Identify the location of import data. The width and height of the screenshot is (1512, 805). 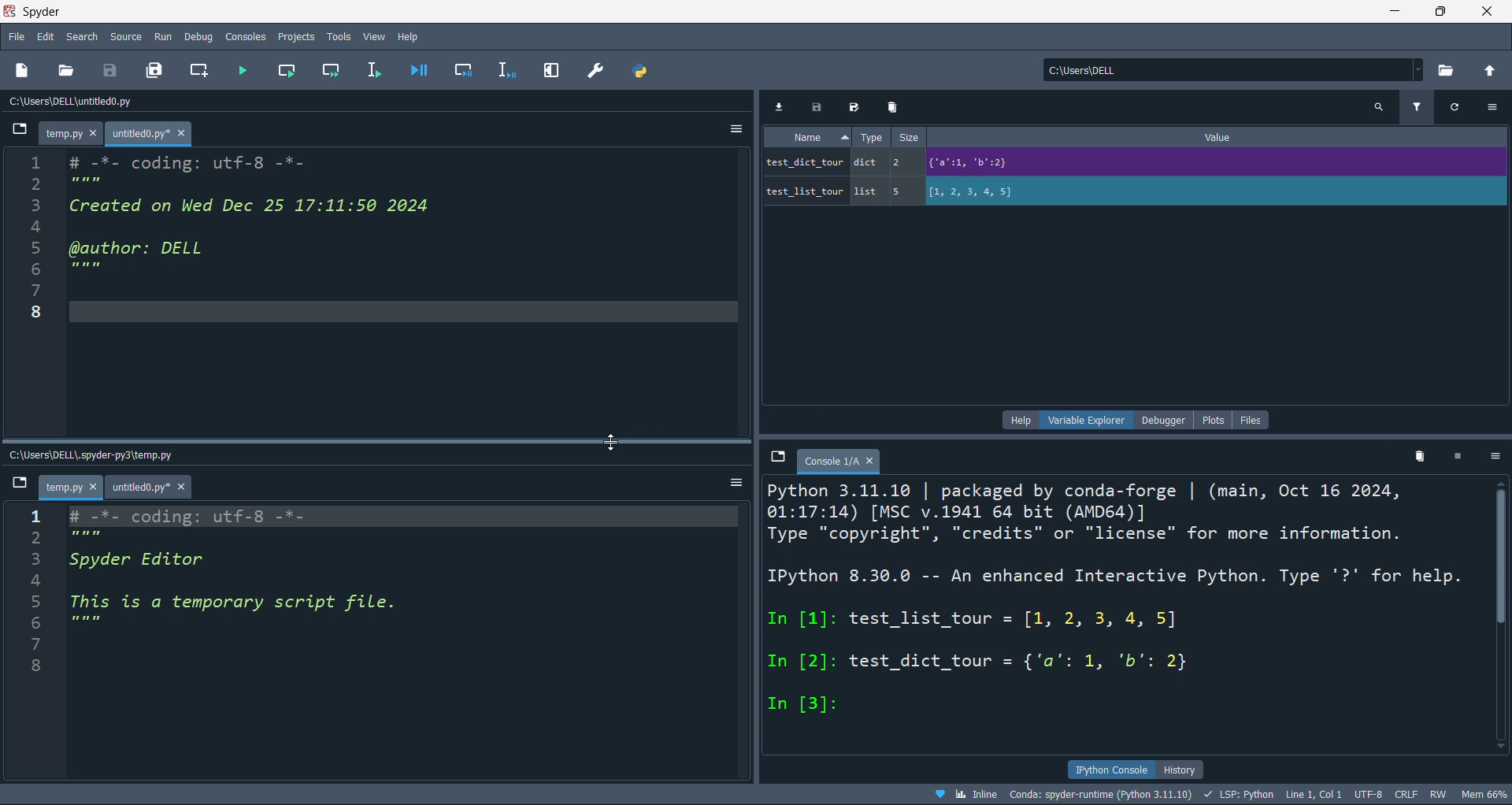
(781, 106).